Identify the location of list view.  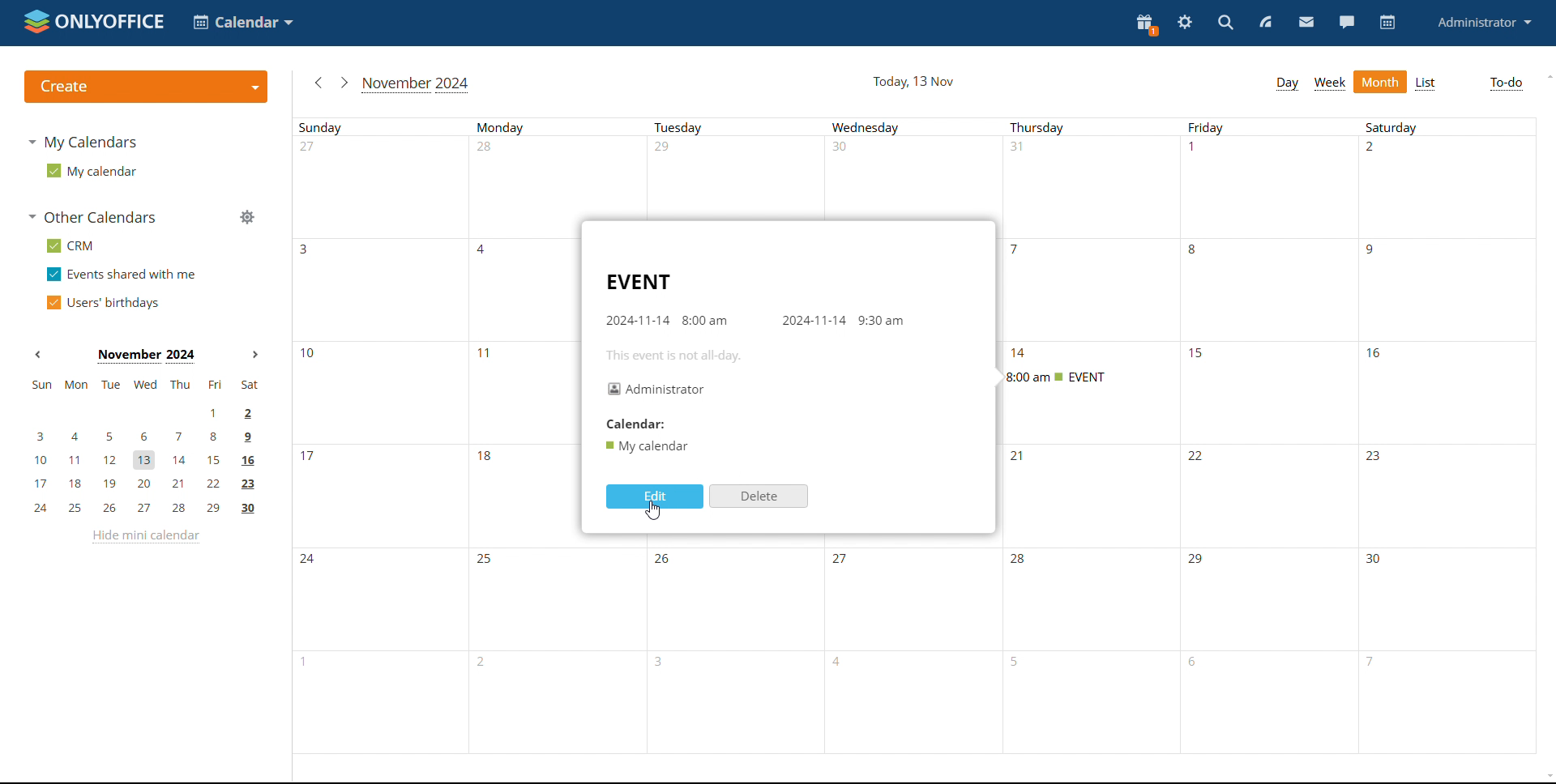
(1426, 83).